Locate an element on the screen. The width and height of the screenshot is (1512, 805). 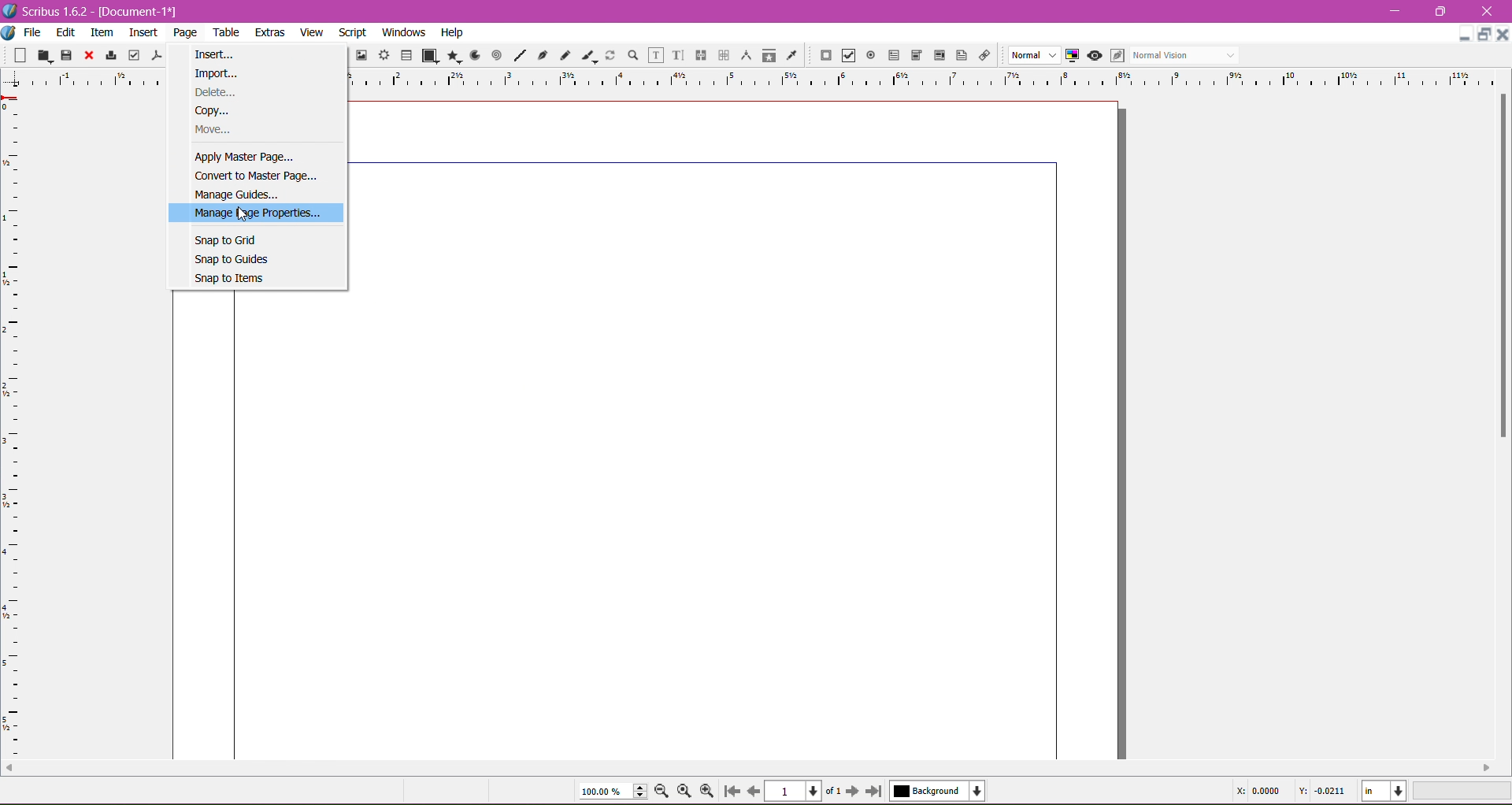
Move is located at coordinates (219, 132).